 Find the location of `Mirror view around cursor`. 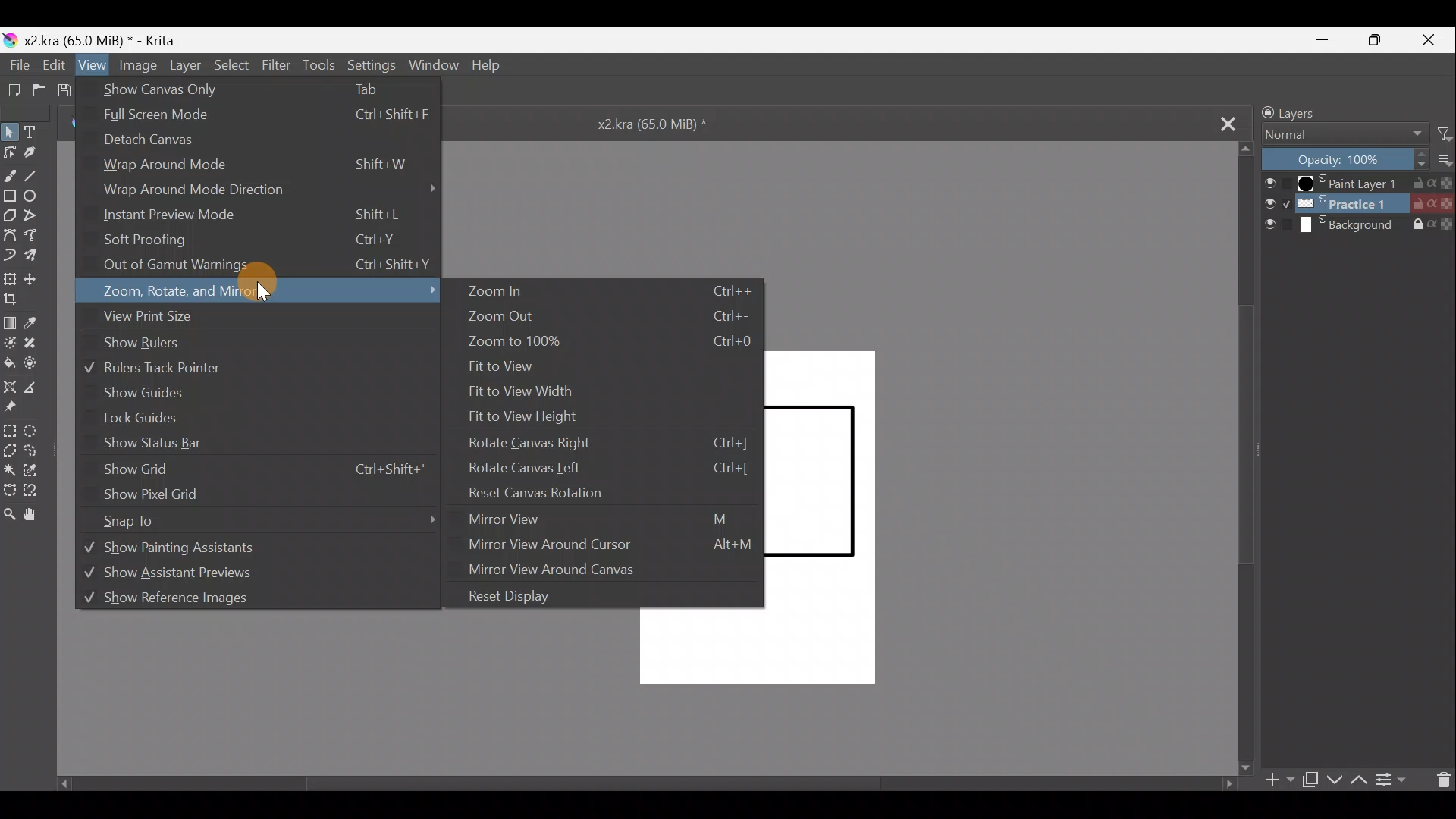

Mirror view around cursor is located at coordinates (610, 545).